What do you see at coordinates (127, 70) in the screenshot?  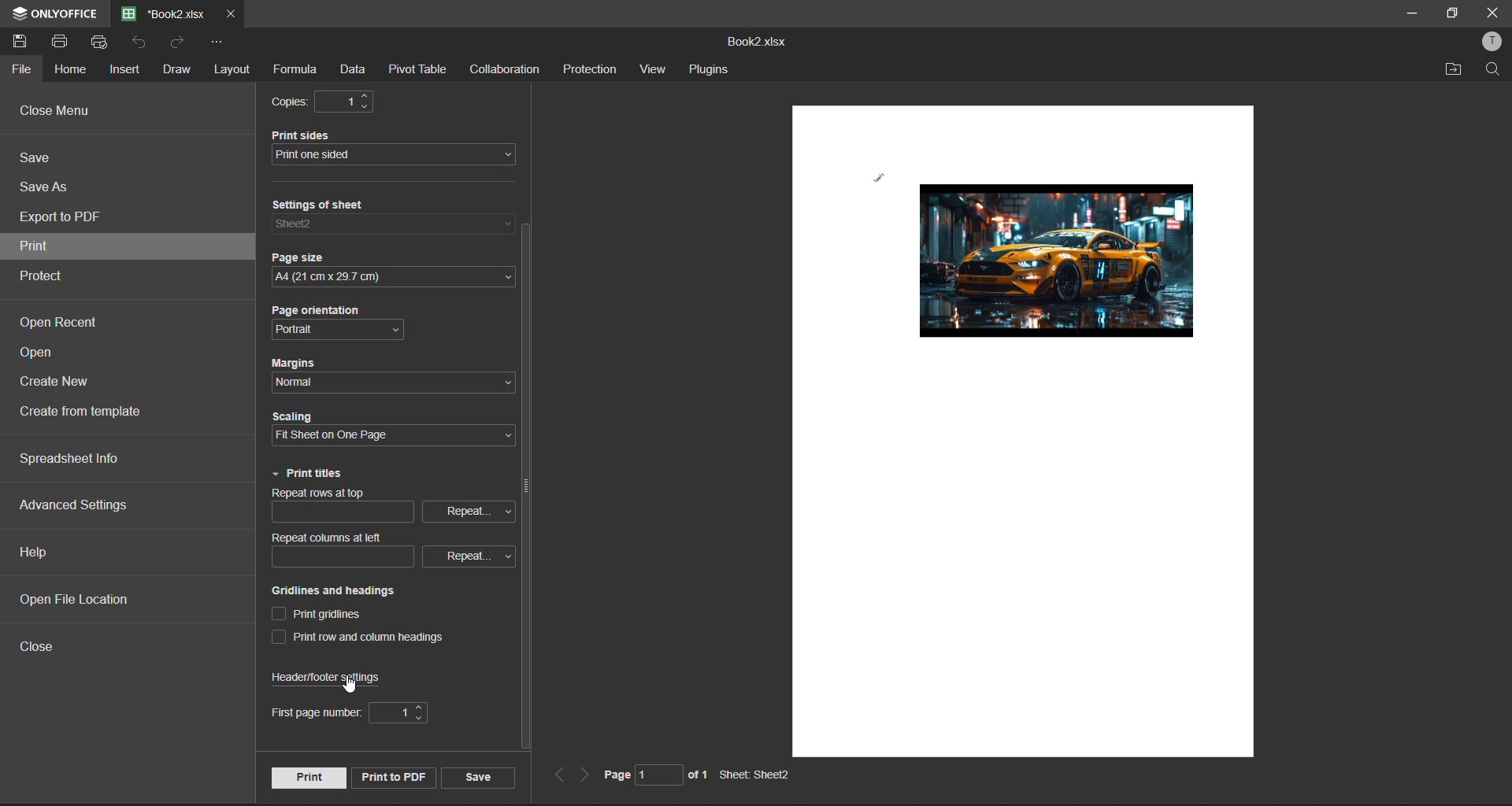 I see `insert` at bounding box center [127, 70].